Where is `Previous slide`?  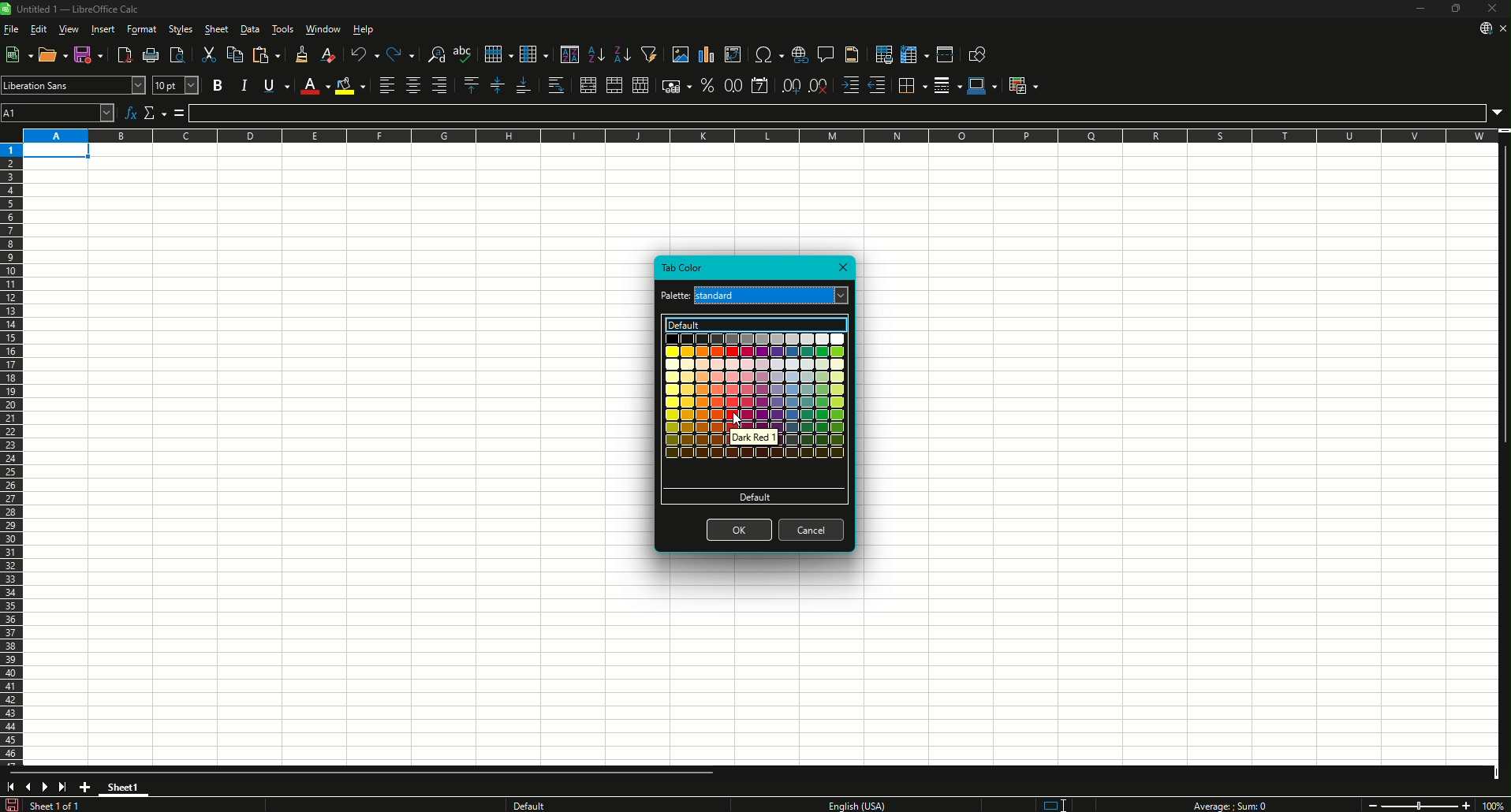
Previous slide is located at coordinates (25, 786).